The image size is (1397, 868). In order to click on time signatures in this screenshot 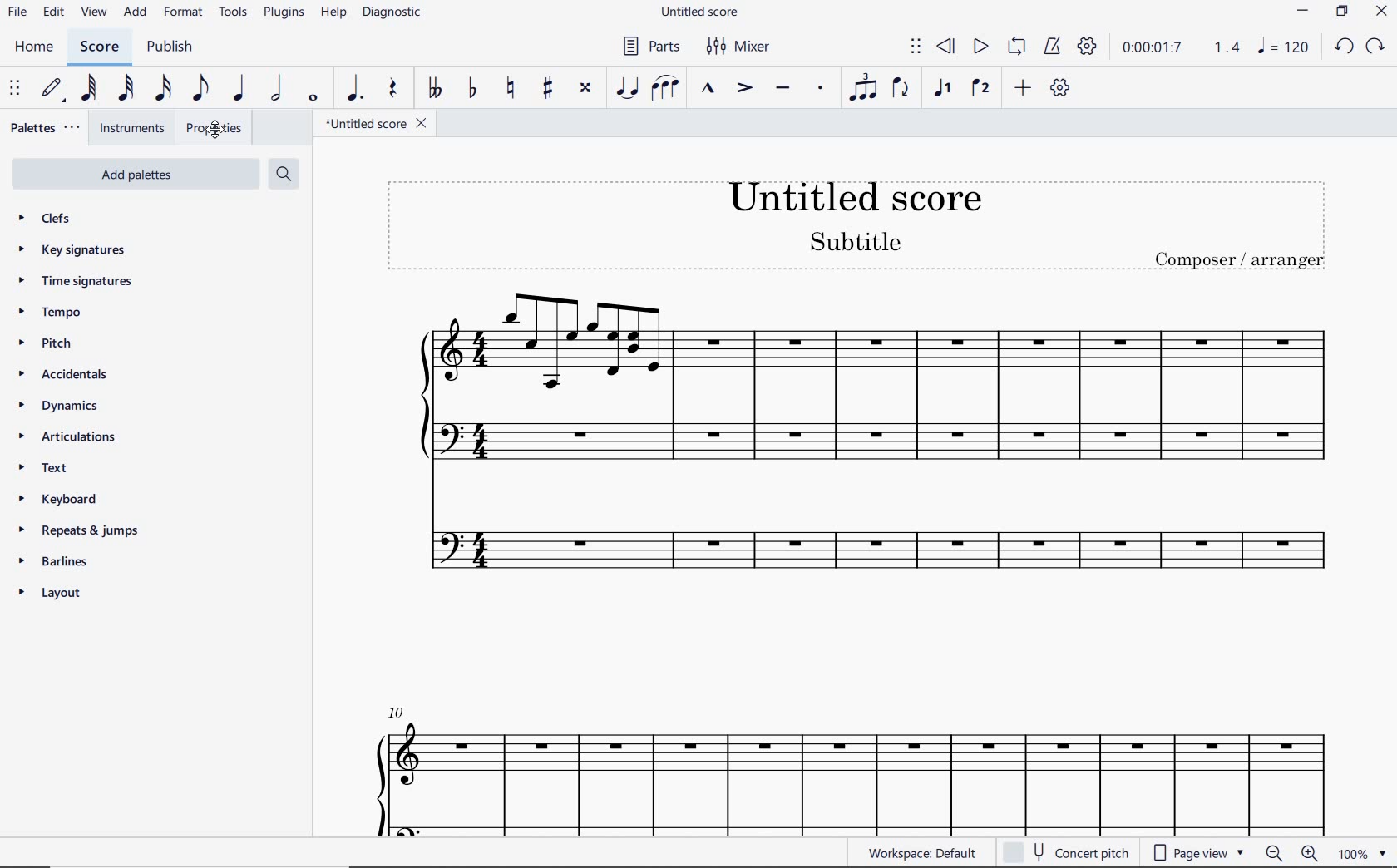, I will do `click(78, 284)`.